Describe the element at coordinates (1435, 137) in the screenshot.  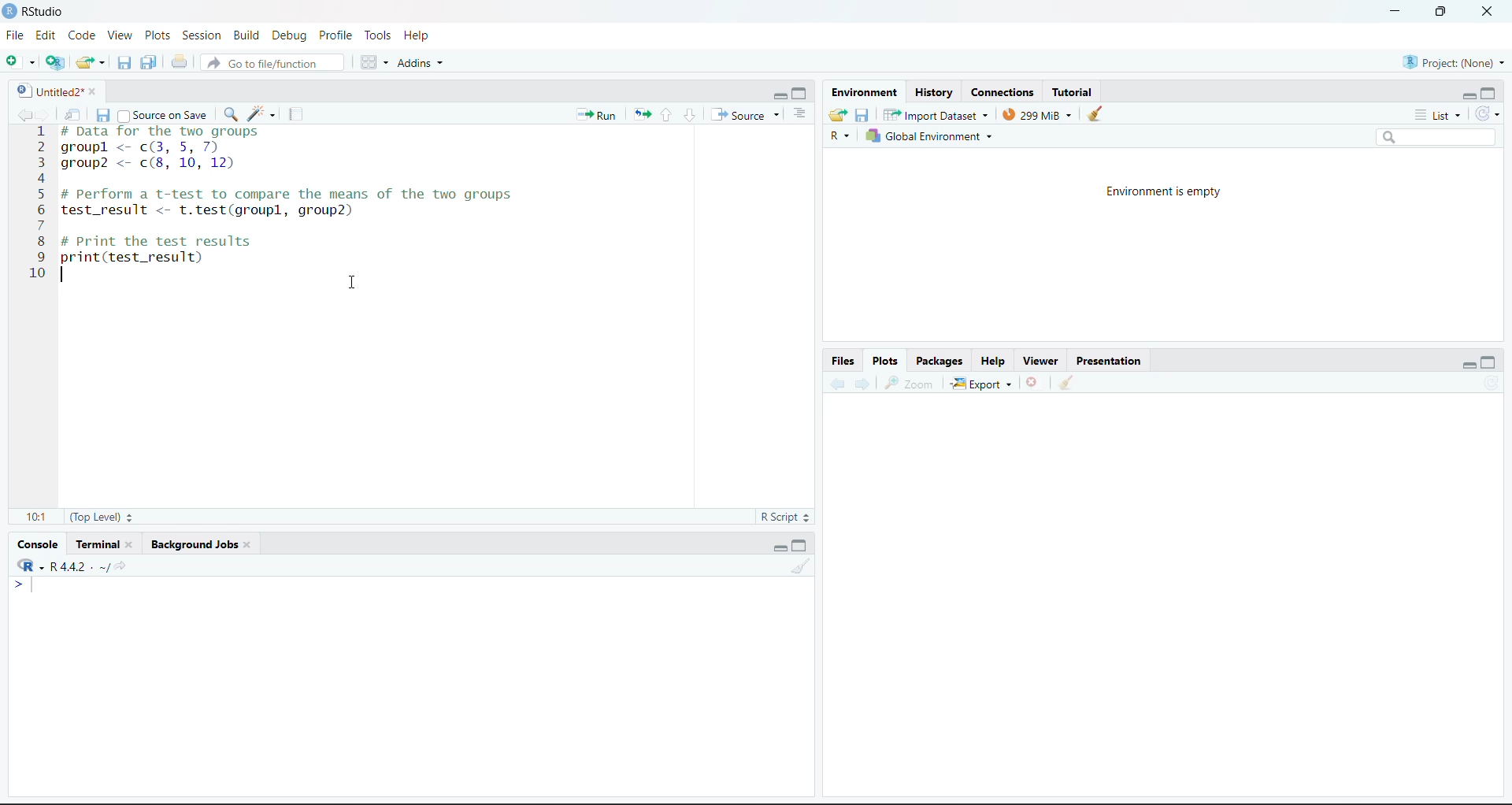
I see `search bar` at that location.